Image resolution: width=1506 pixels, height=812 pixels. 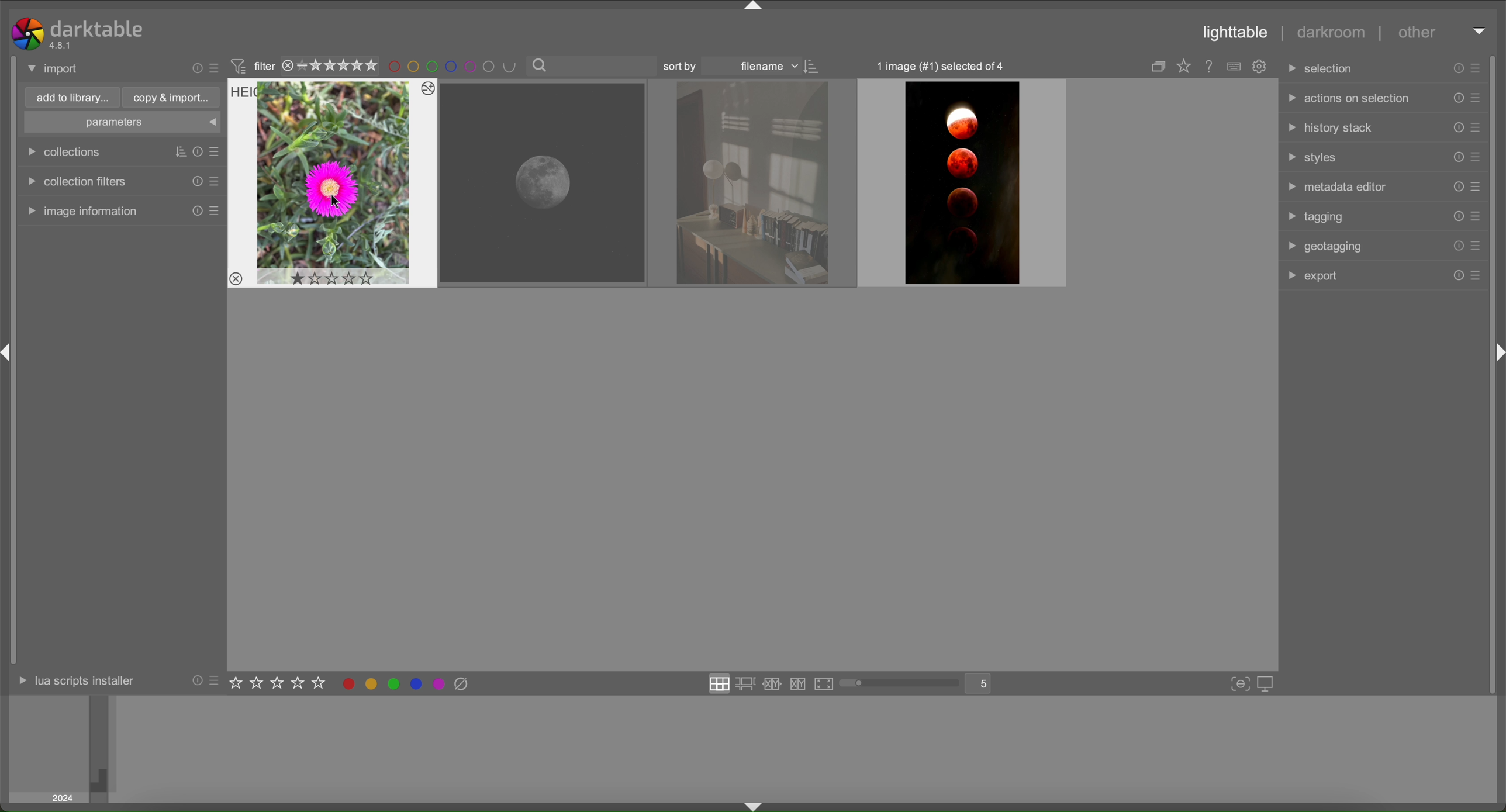 I want to click on search bar, so click(x=591, y=66).